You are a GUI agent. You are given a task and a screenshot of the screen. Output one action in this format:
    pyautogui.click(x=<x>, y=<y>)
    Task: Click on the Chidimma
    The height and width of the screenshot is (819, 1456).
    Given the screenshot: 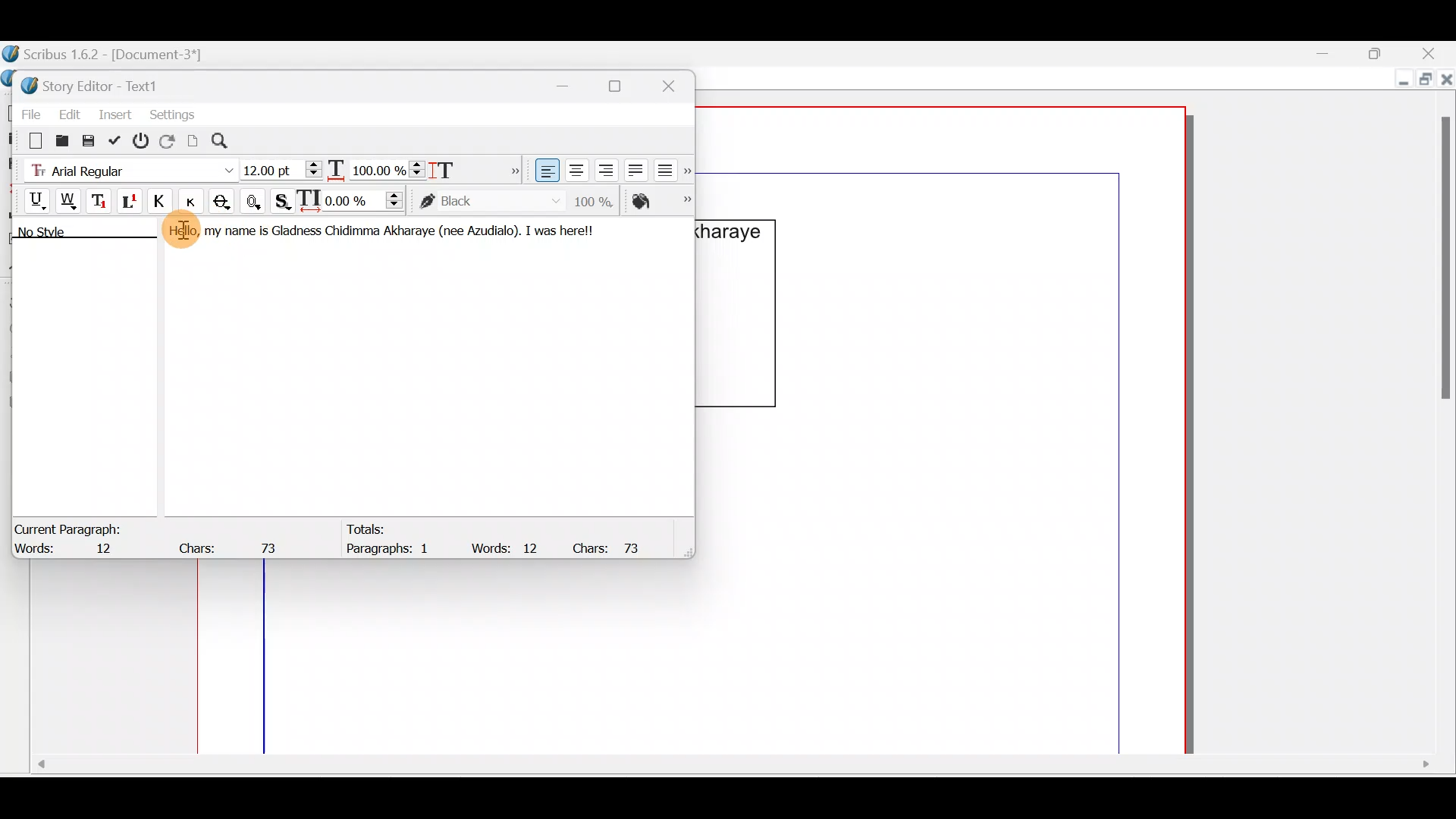 What is the action you would take?
    pyautogui.click(x=351, y=234)
    